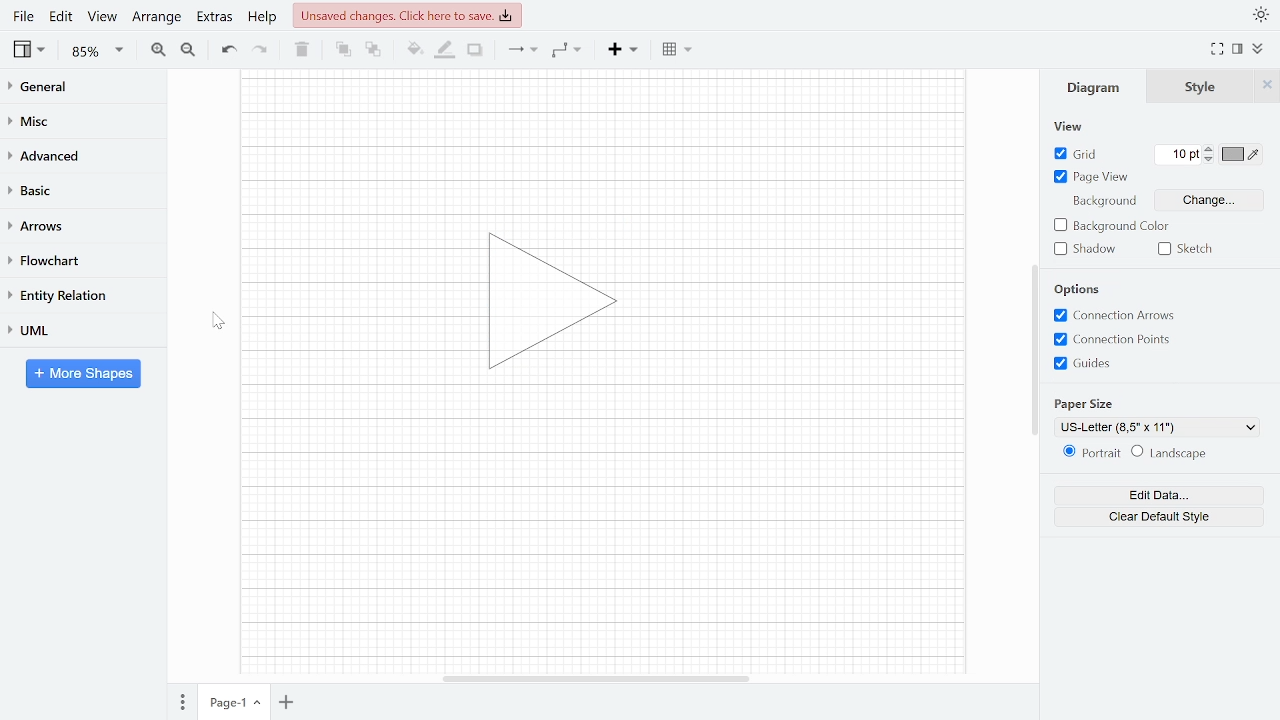 The height and width of the screenshot is (720, 1280). I want to click on Entity relation, so click(75, 295).